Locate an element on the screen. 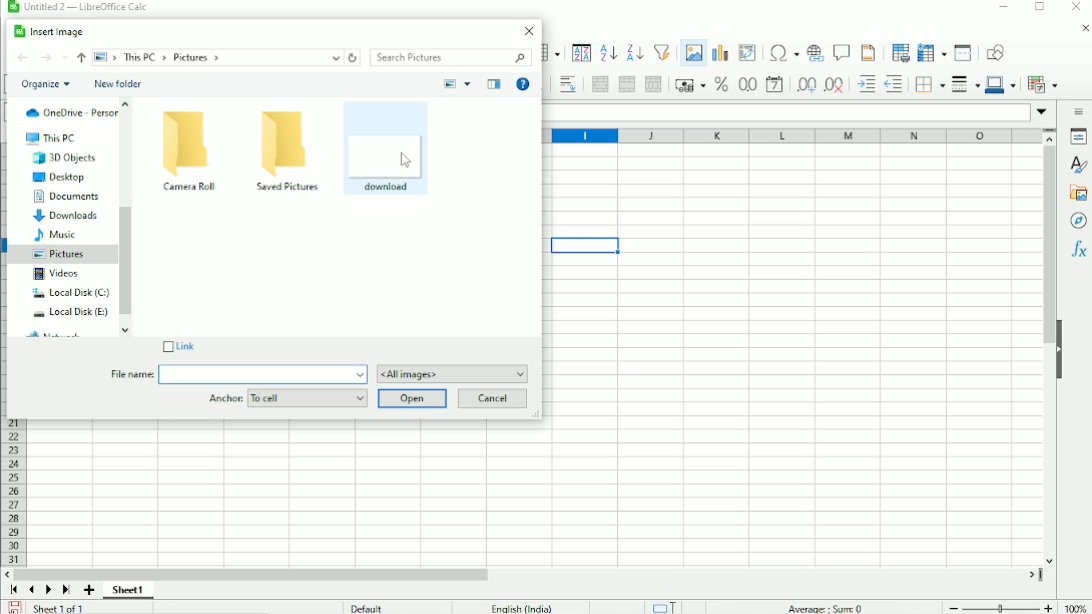 This screenshot has height=614, width=1092. To cell is located at coordinates (307, 398).